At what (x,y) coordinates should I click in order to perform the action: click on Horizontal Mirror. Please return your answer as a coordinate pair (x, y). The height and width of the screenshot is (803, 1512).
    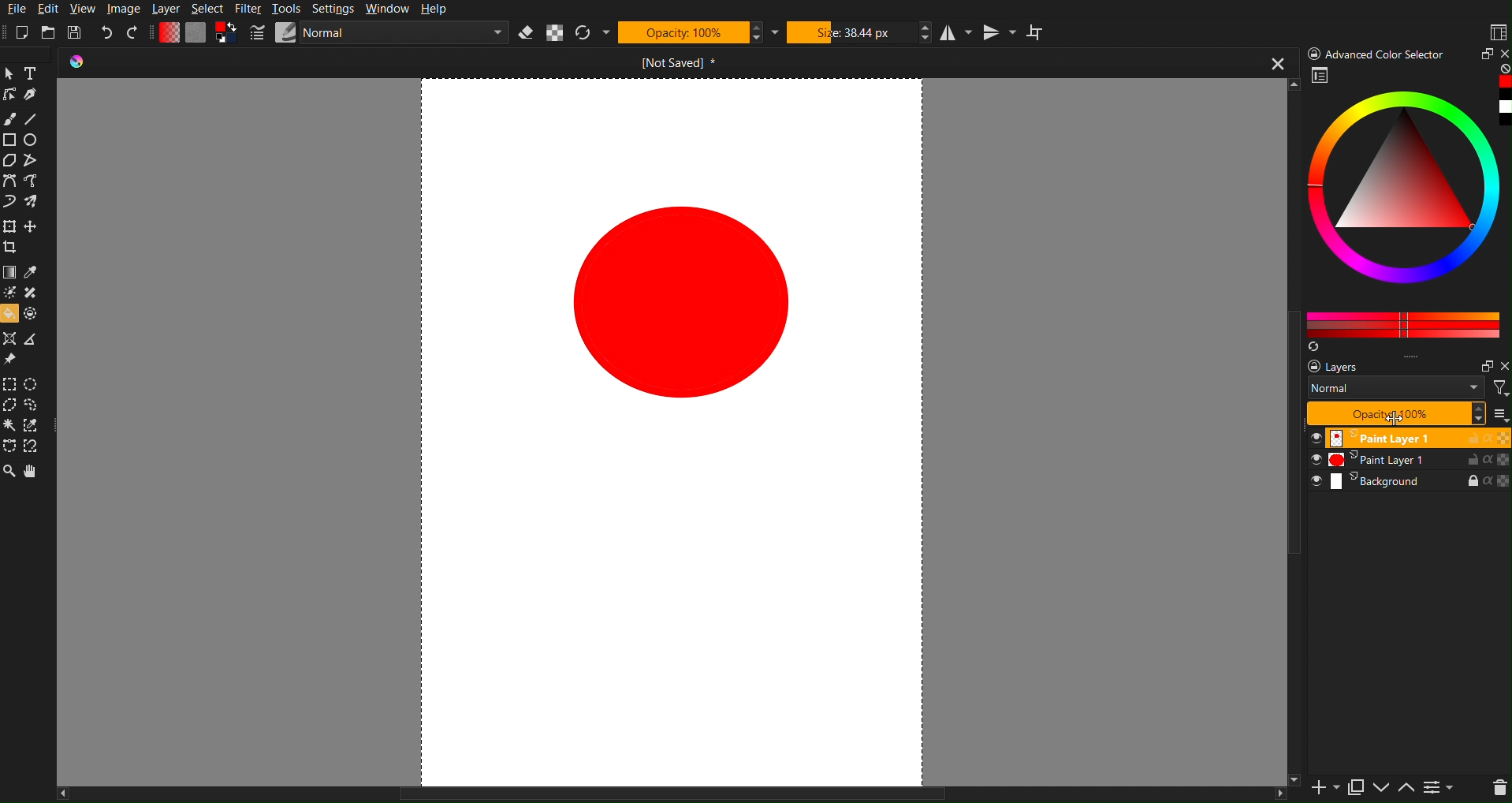
    Looking at the image, I should click on (960, 33).